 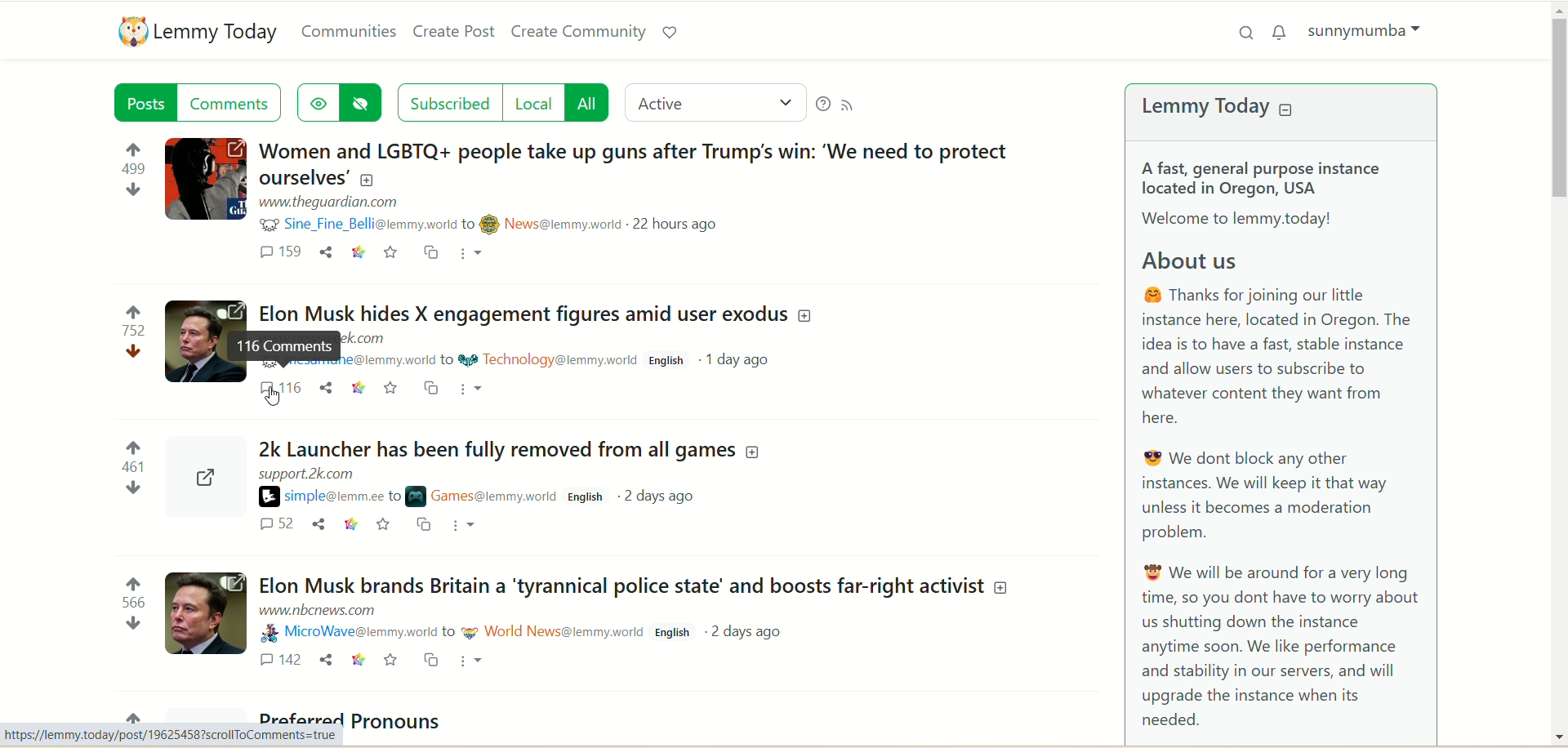 What do you see at coordinates (564, 358) in the screenshot?
I see `@lemmy.world to @g® Technology@lemmy.world English - 1 day ago` at bounding box center [564, 358].